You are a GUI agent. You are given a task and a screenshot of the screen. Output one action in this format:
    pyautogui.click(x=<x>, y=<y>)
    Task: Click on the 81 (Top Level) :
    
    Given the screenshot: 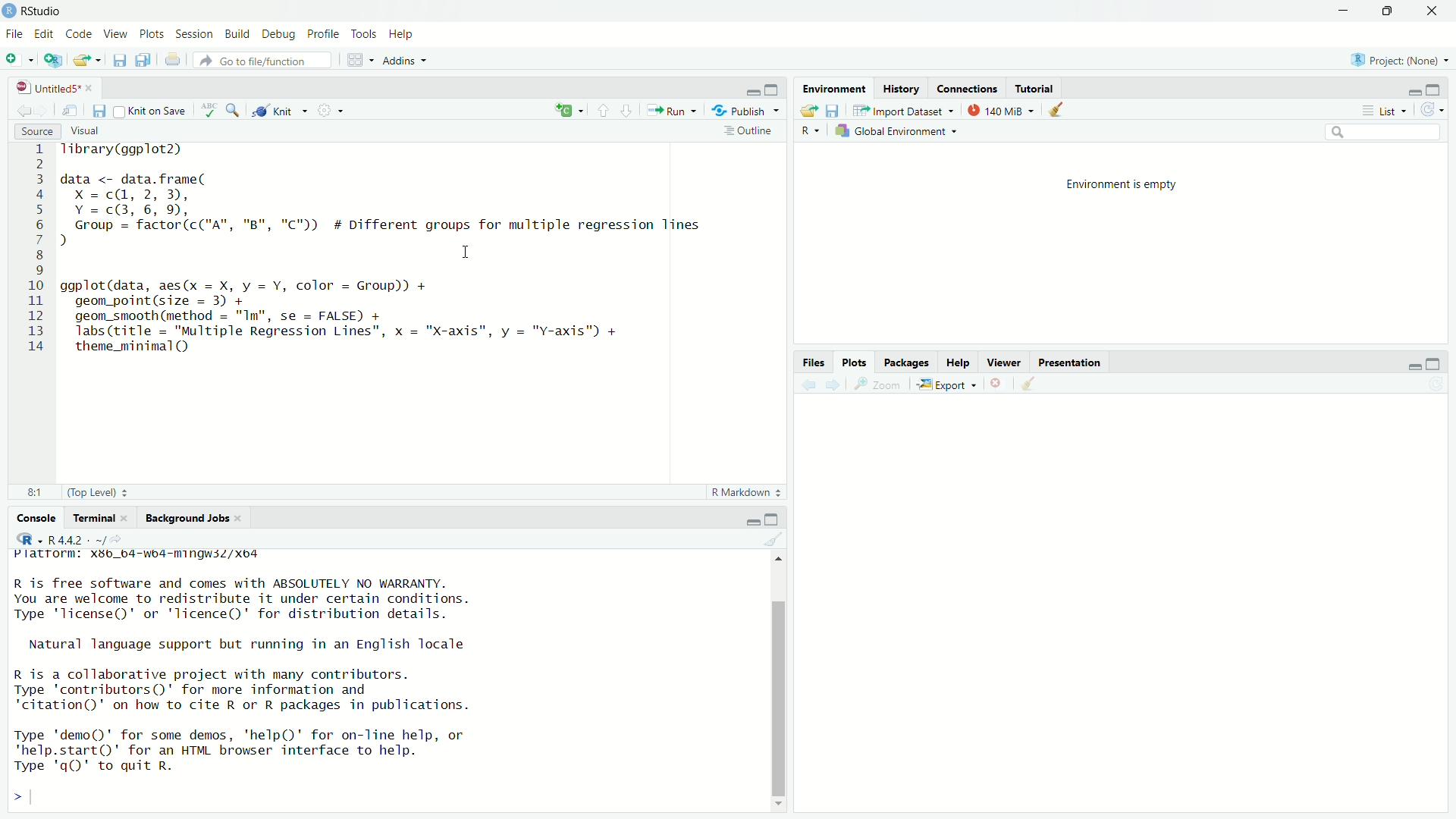 What is the action you would take?
    pyautogui.click(x=71, y=491)
    